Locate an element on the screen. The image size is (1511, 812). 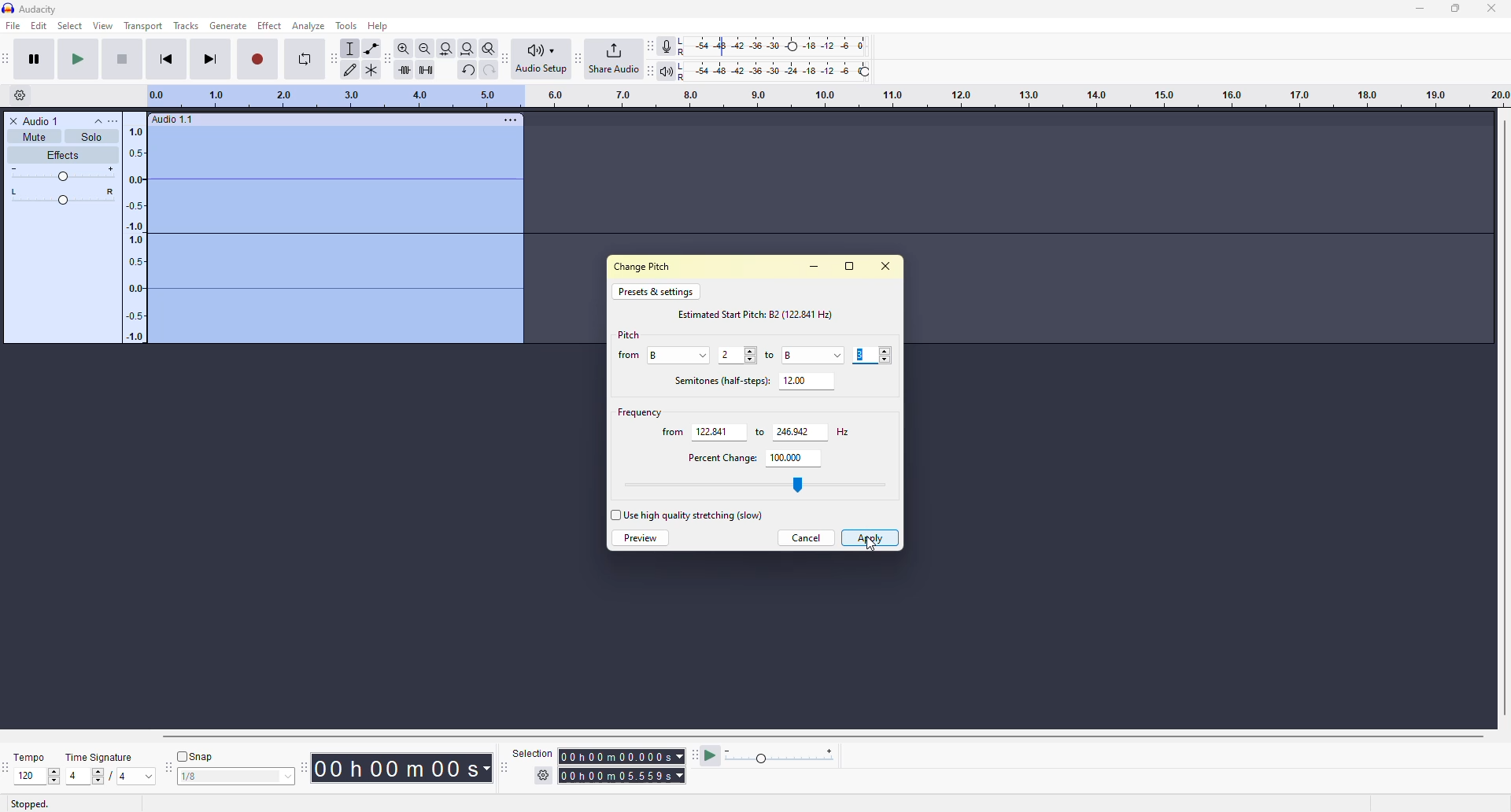
zoom out is located at coordinates (424, 48).